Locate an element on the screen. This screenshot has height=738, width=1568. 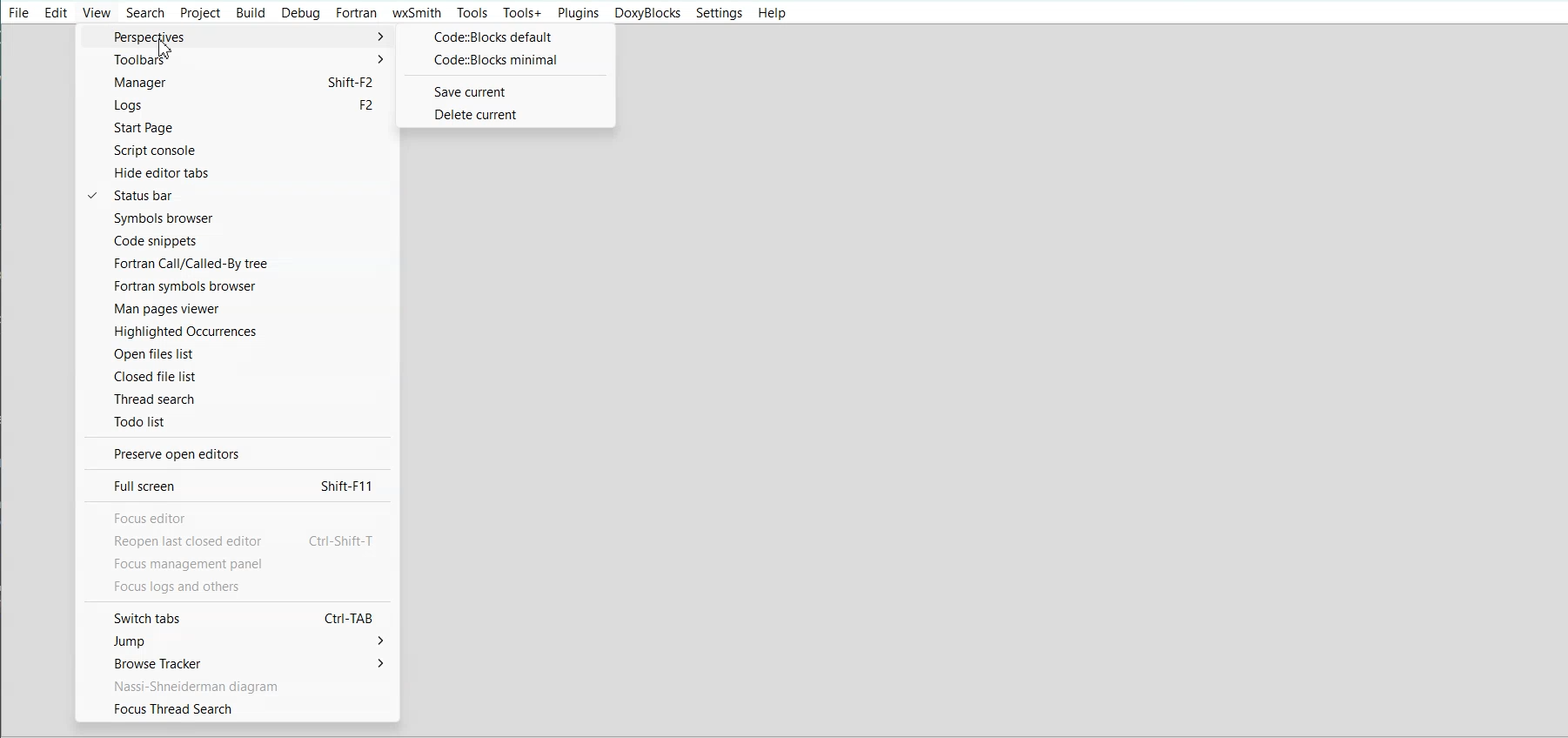
Debug is located at coordinates (302, 13).